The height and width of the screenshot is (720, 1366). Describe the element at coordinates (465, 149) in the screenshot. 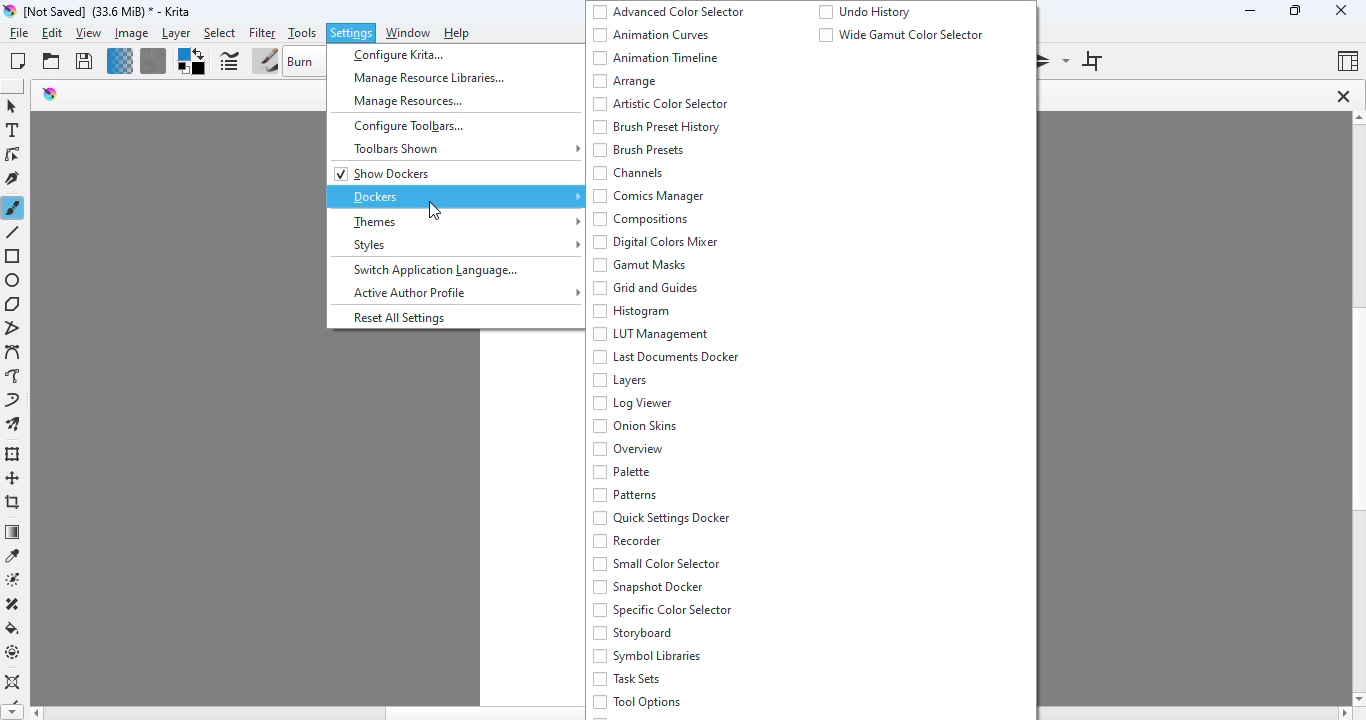

I see `toolbars shown` at that location.